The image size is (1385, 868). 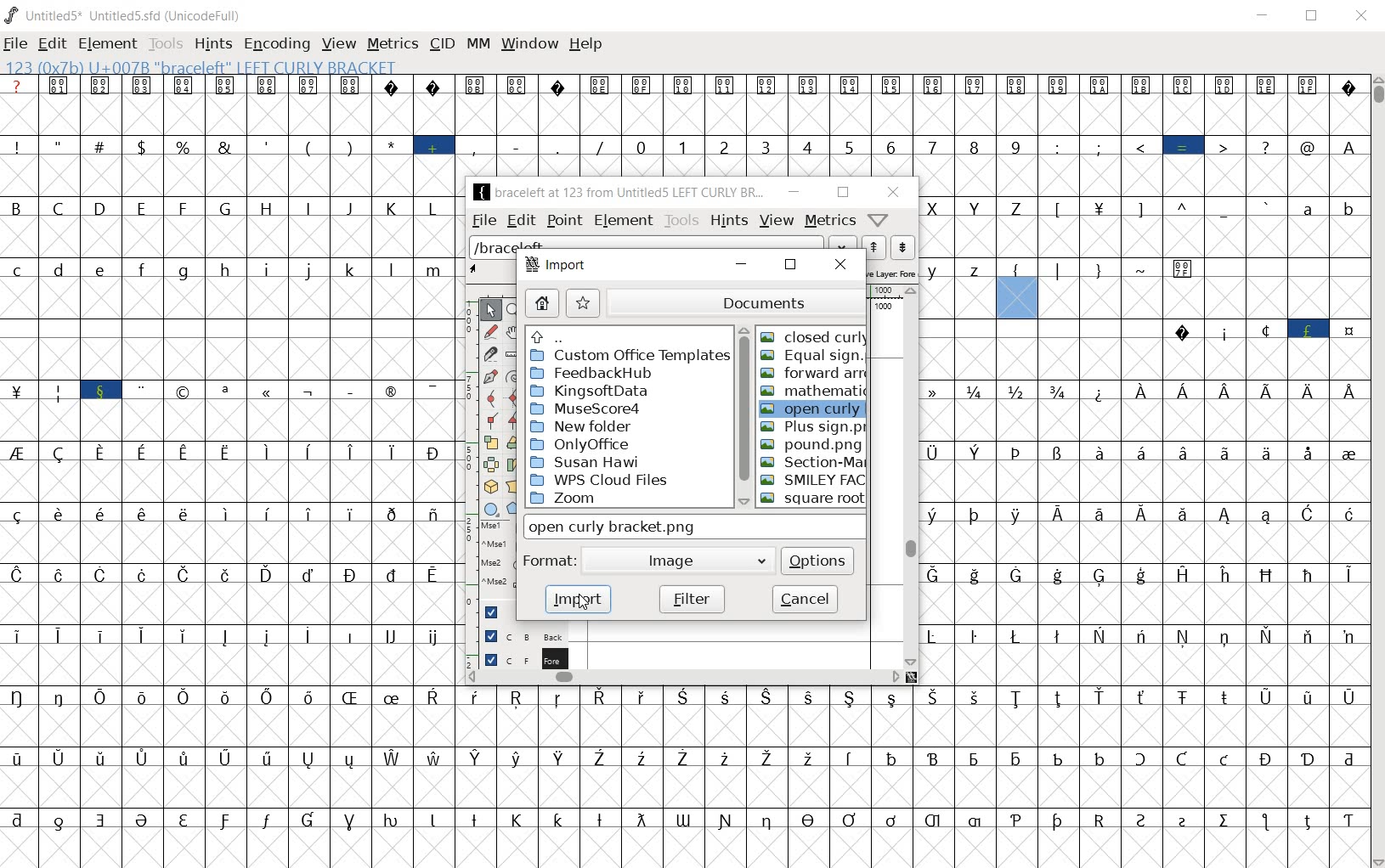 I want to click on import, so click(x=555, y=265).